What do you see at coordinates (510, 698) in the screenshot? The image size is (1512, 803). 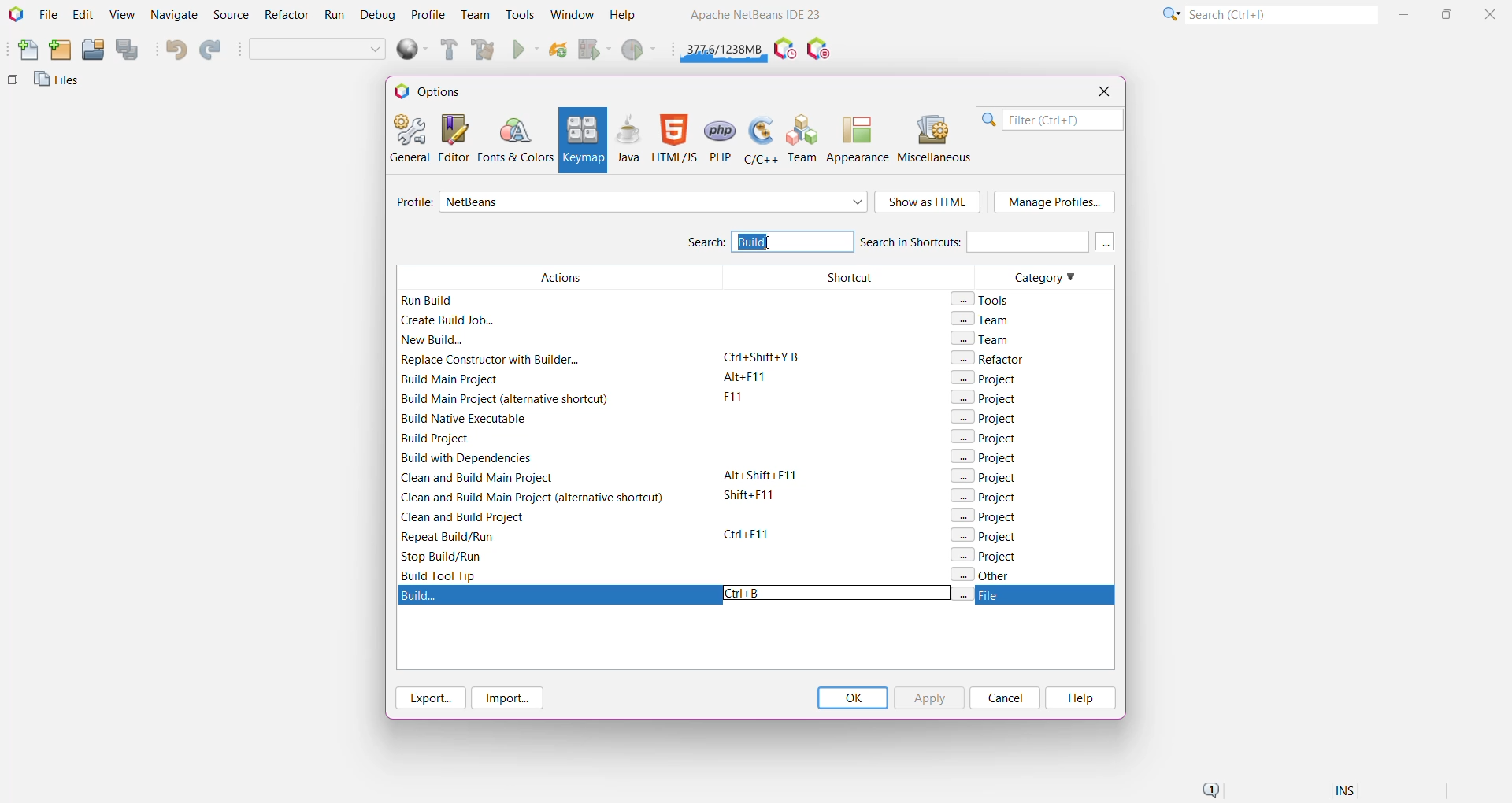 I see `Import` at bounding box center [510, 698].